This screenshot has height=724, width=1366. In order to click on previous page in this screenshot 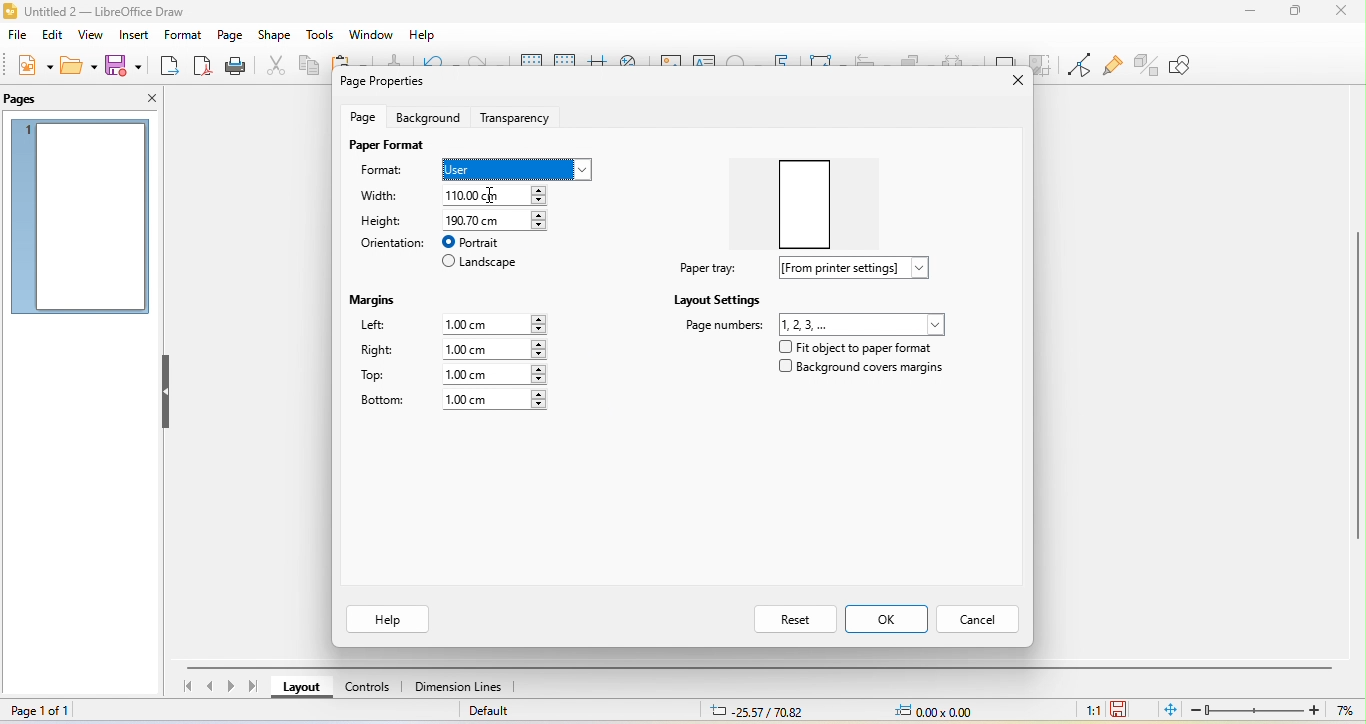, I will do `click(210, 688)`.